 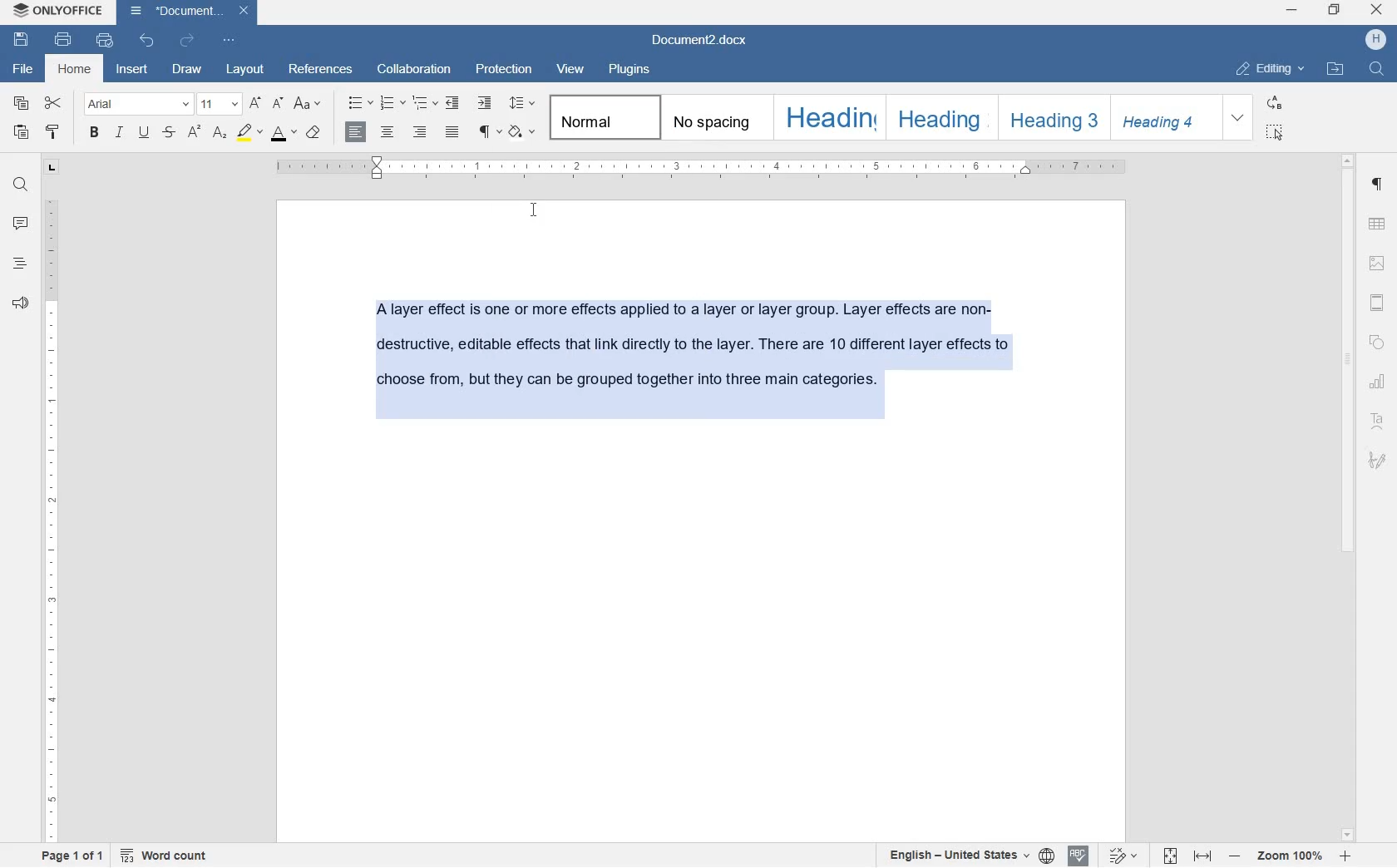 I want to click on references, so click(x=320, y=71).